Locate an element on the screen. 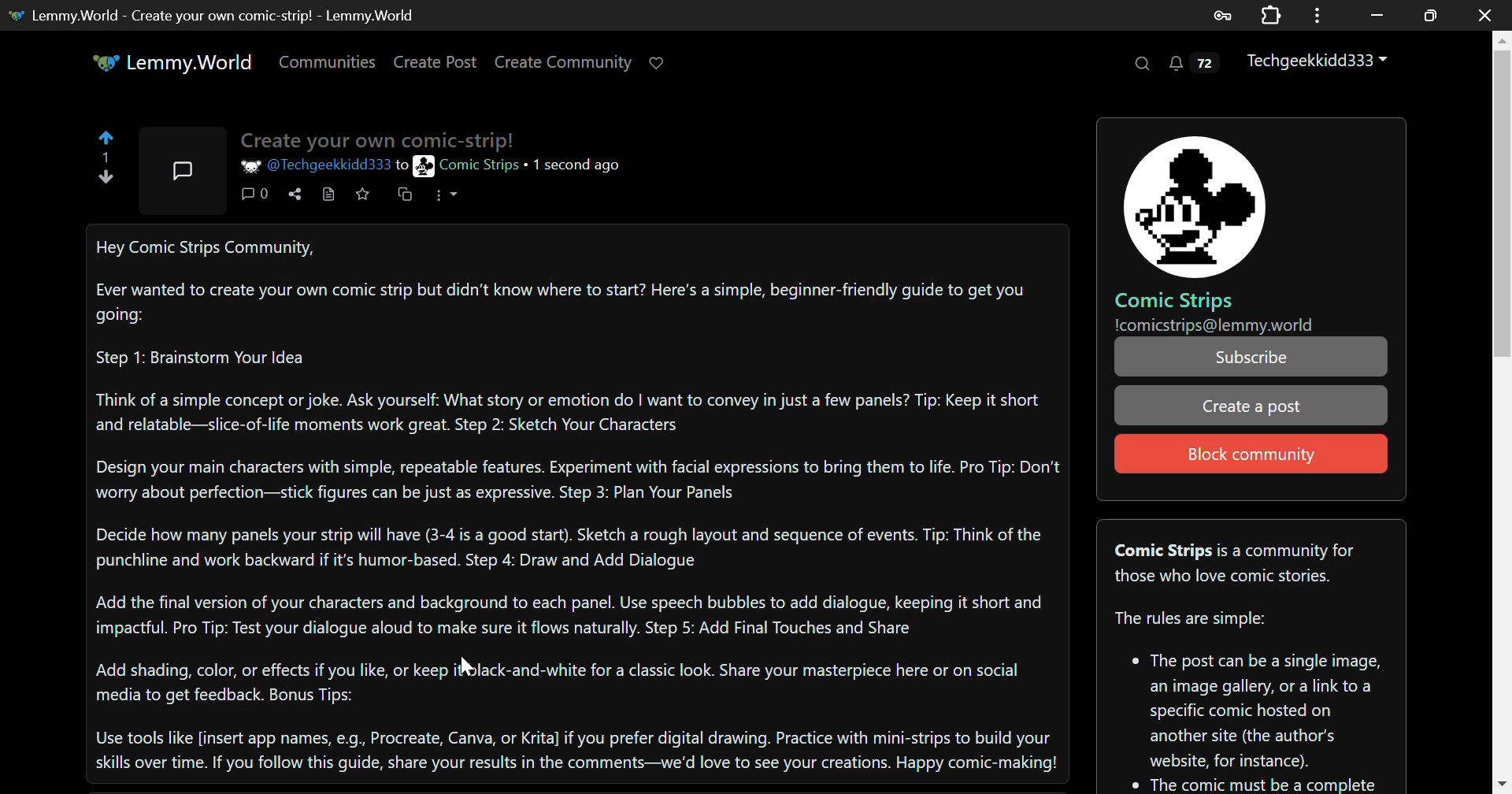 The height and width of the screenshot is (794, 1512). @Techgeekkidd333 is located at coordinates (317, 165).